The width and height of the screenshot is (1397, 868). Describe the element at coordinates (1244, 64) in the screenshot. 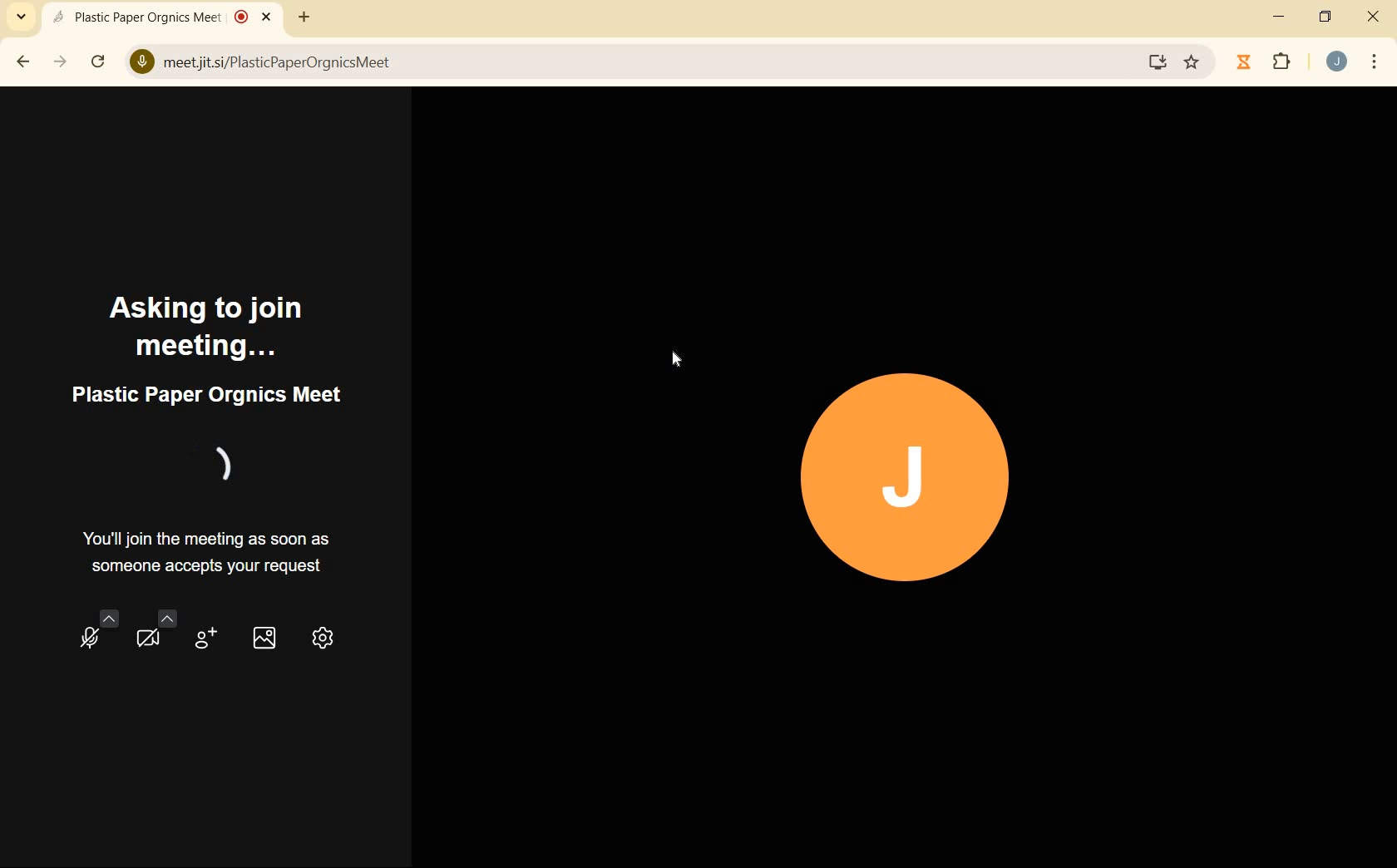

I see `Jibble` at that location.